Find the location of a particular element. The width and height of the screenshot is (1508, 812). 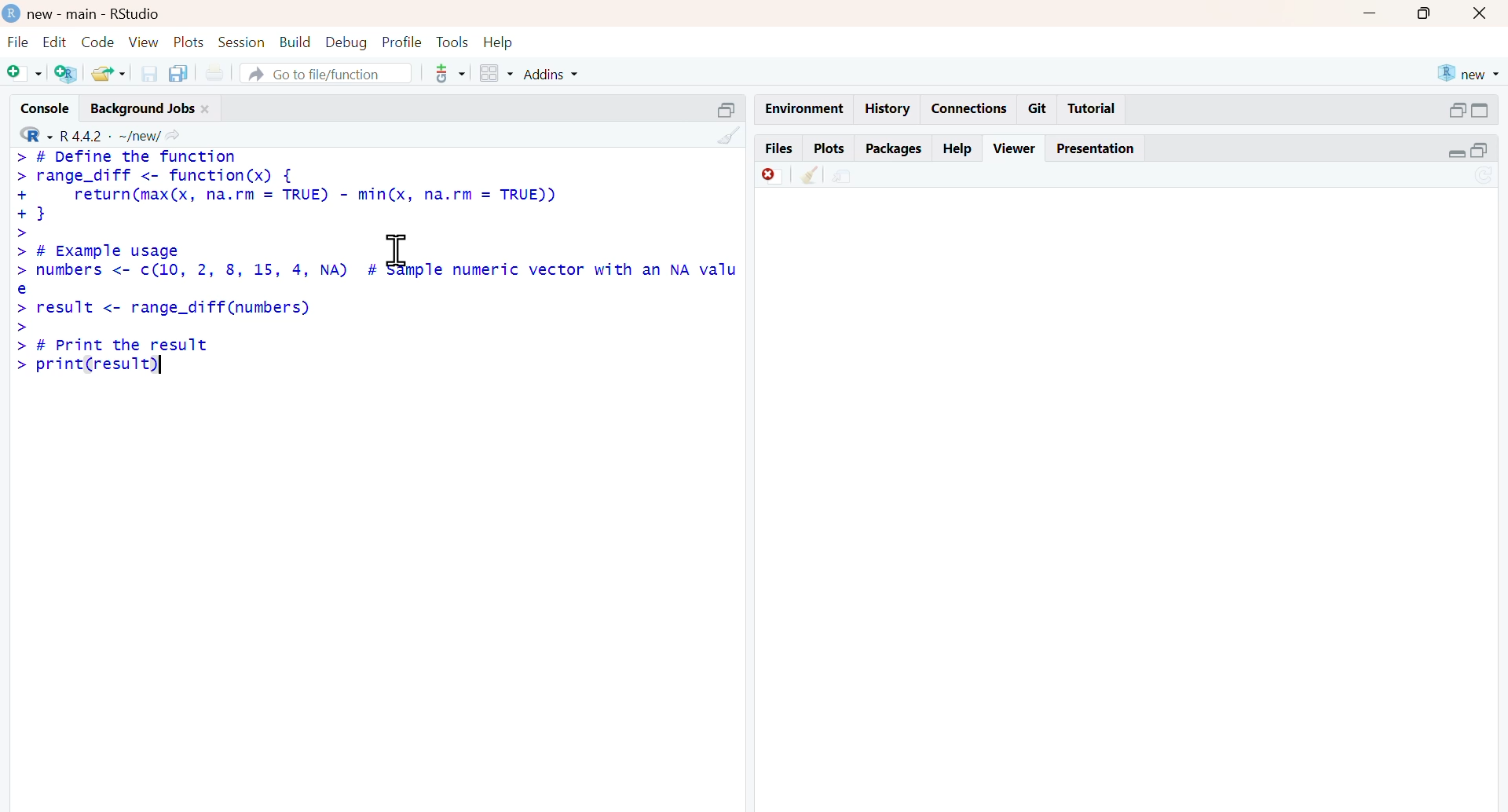

Sync is located at coordinates (1484, 177).